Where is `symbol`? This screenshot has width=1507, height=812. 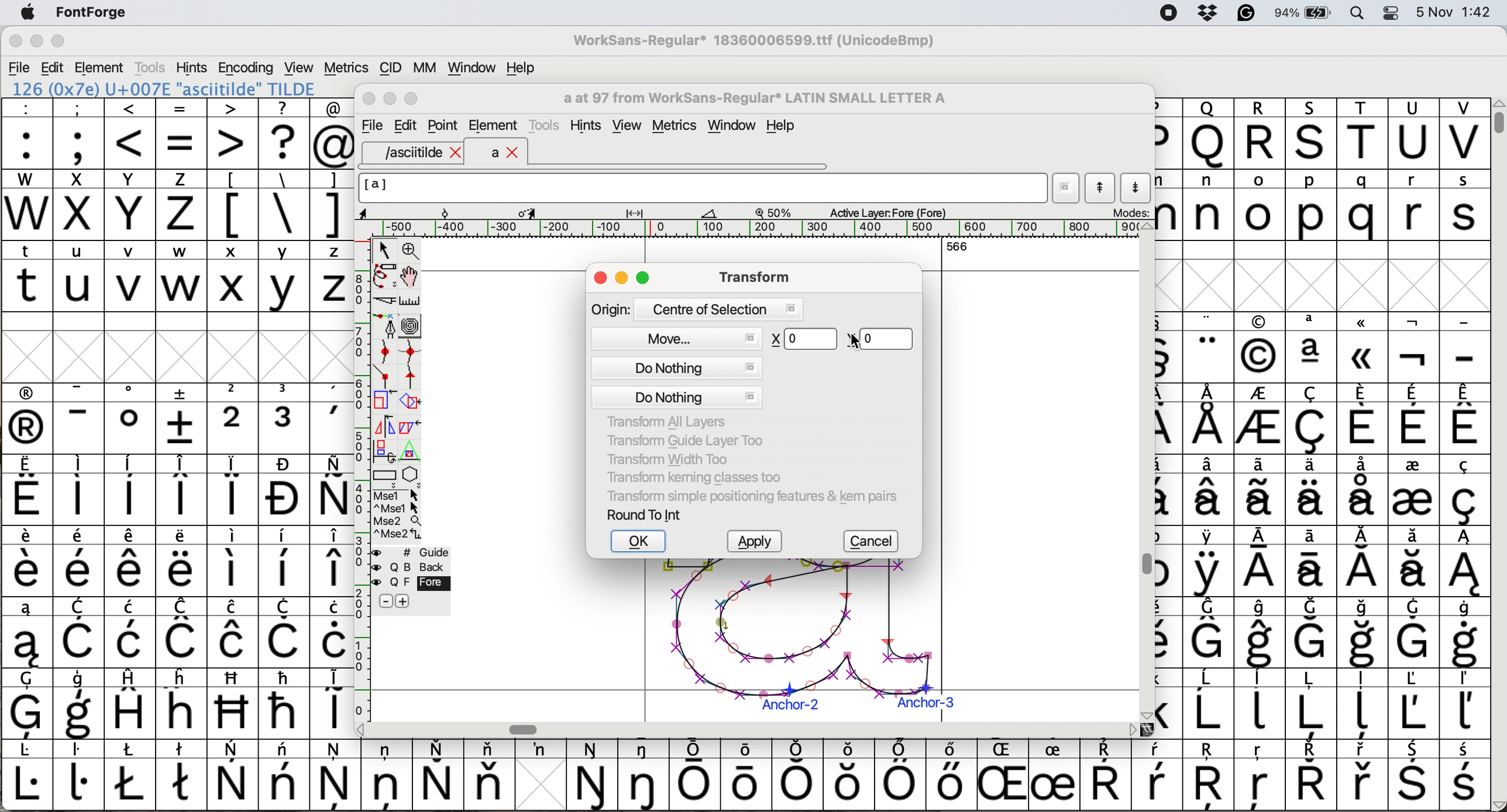 symbol is located at coordinates (1261, 421).